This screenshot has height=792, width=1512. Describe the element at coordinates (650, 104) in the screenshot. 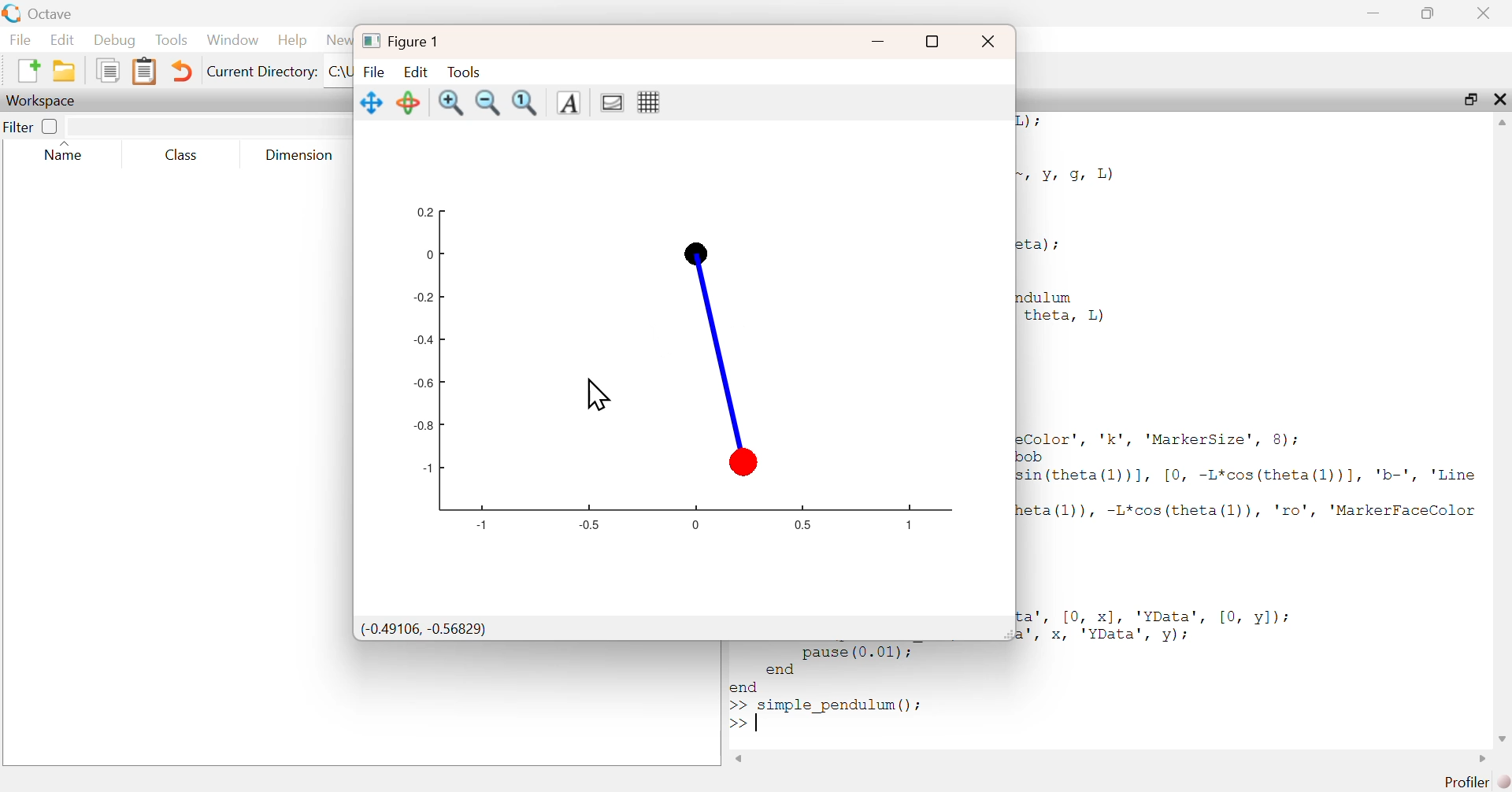

I see `toggle current axes grid visibility` at that location.